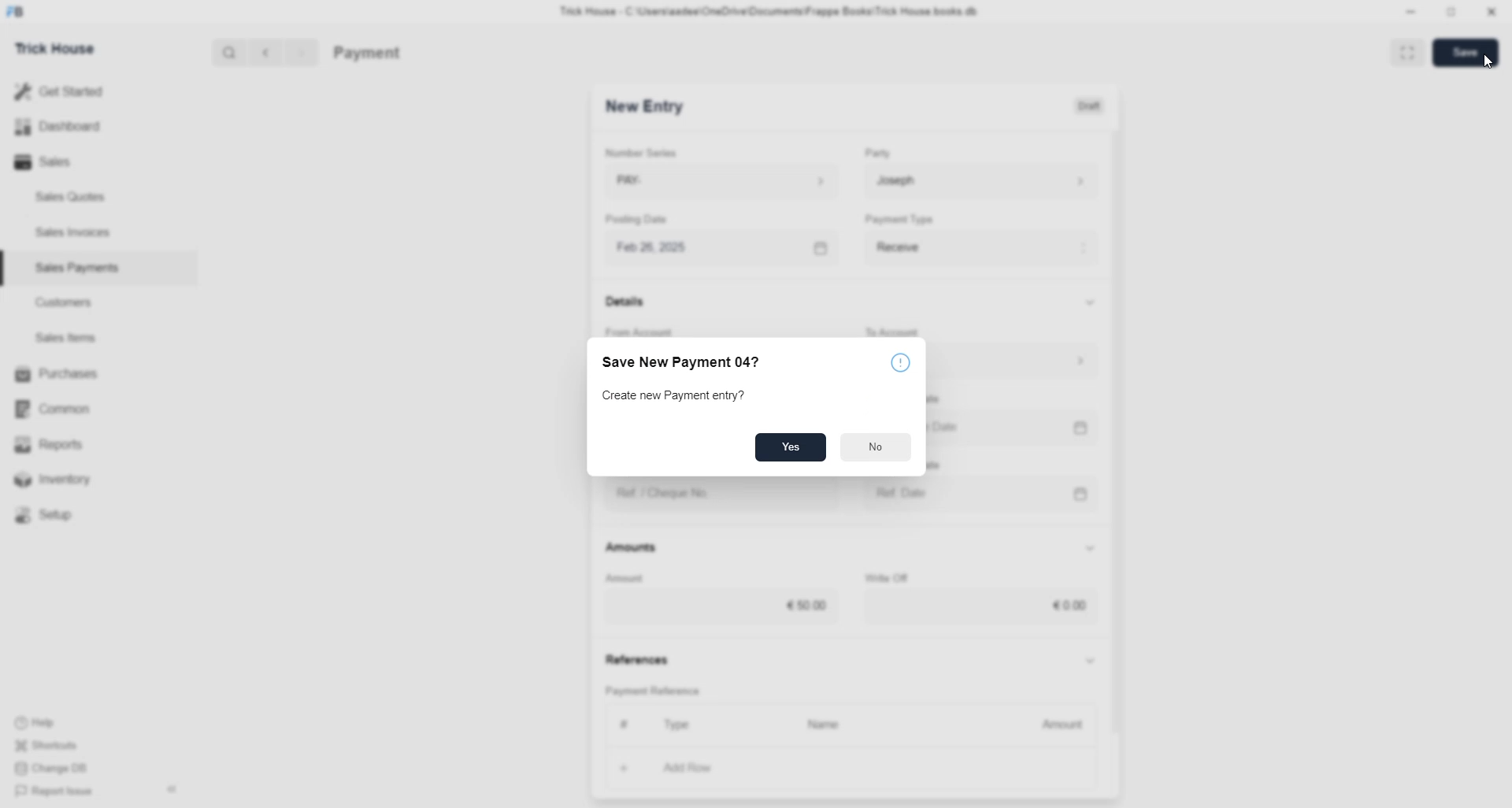  What do you see at coordinates (172, 789) in the screenshot?
I see `Hide sidebar` at bounding box center [172, 789].